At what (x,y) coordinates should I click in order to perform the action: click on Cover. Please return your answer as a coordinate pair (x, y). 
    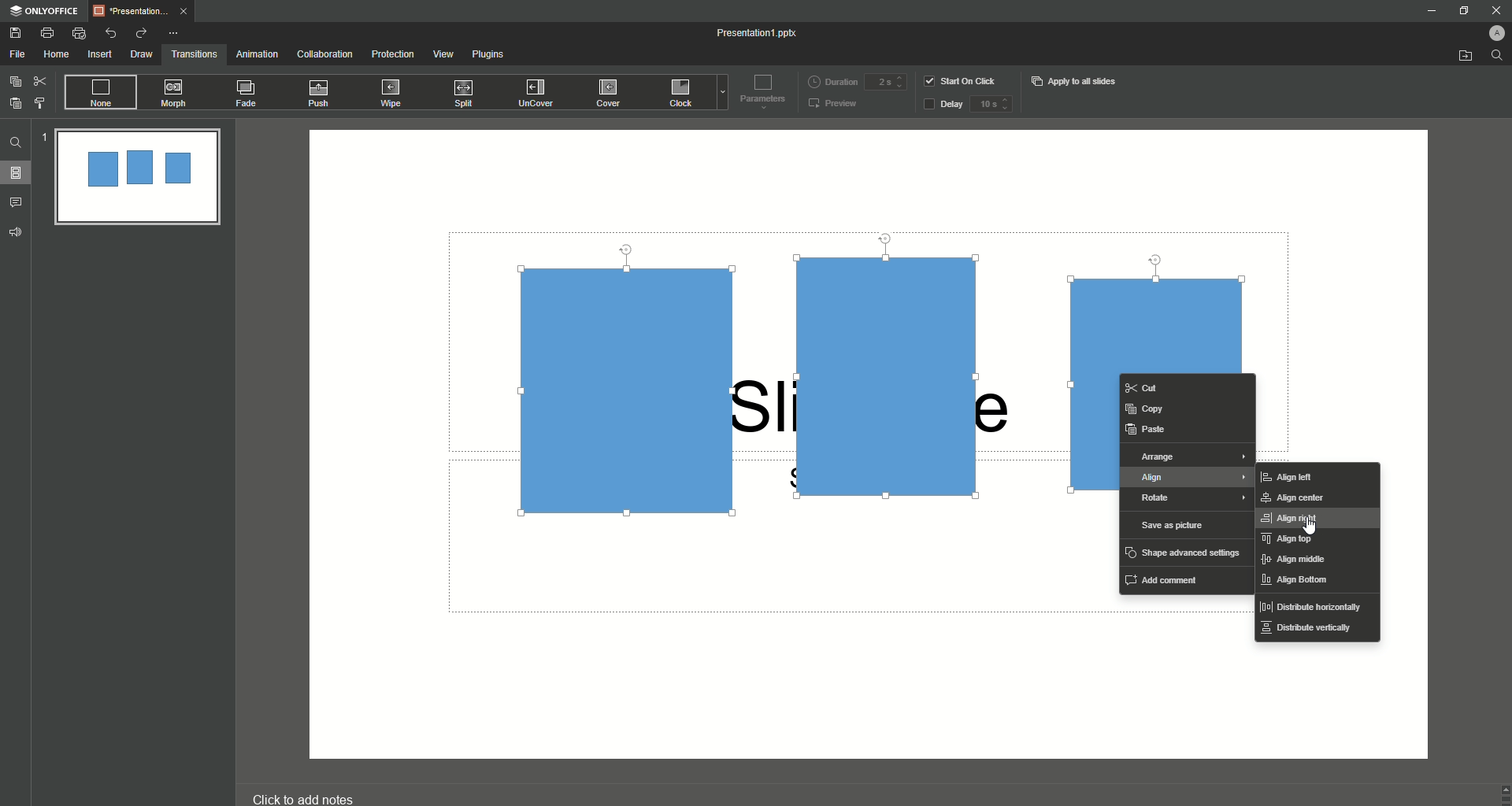
    Looking at the image, I should click on (610, 92).